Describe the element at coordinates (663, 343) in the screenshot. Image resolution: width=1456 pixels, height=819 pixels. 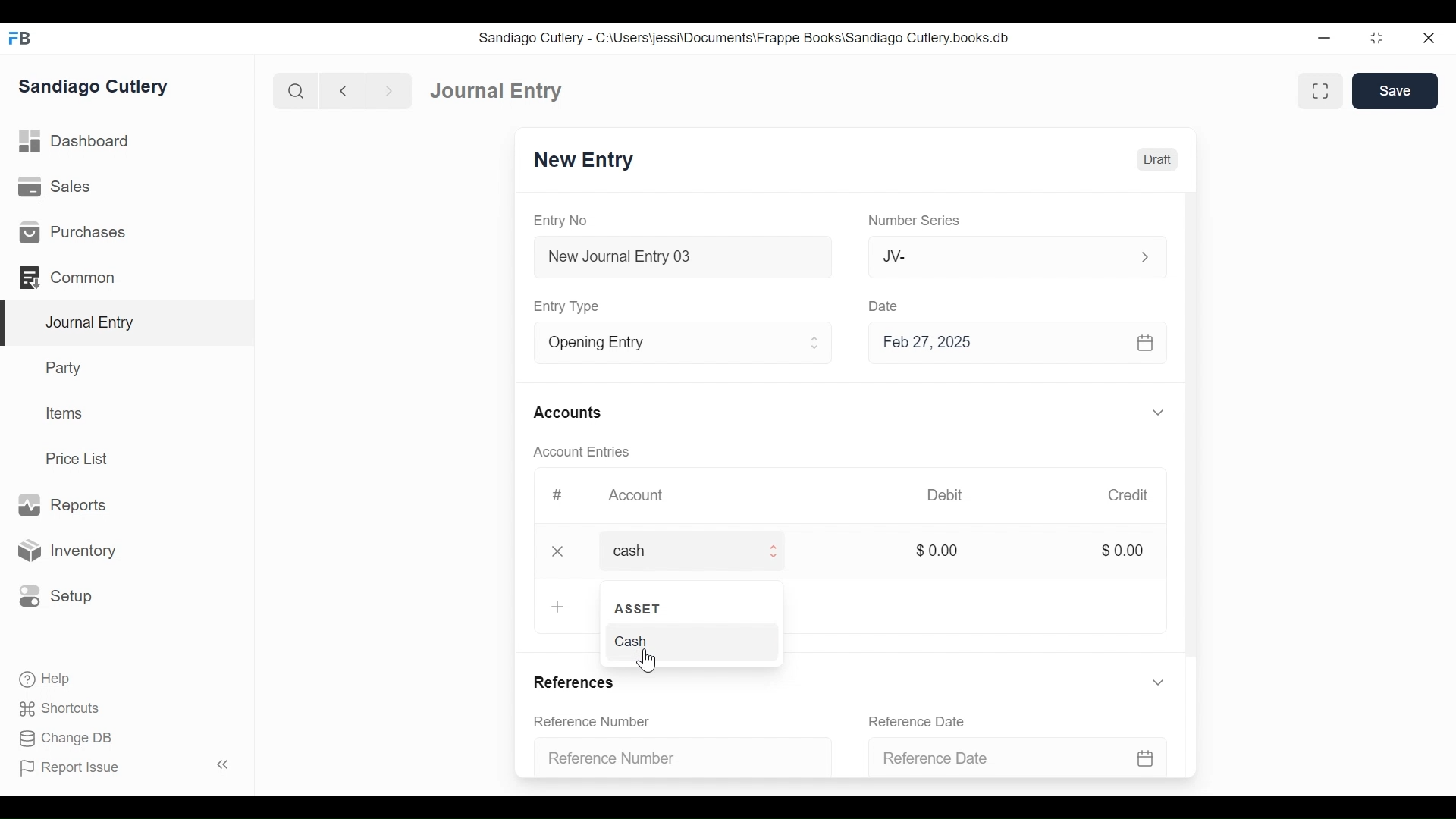
I see `Entry Type` at that location.